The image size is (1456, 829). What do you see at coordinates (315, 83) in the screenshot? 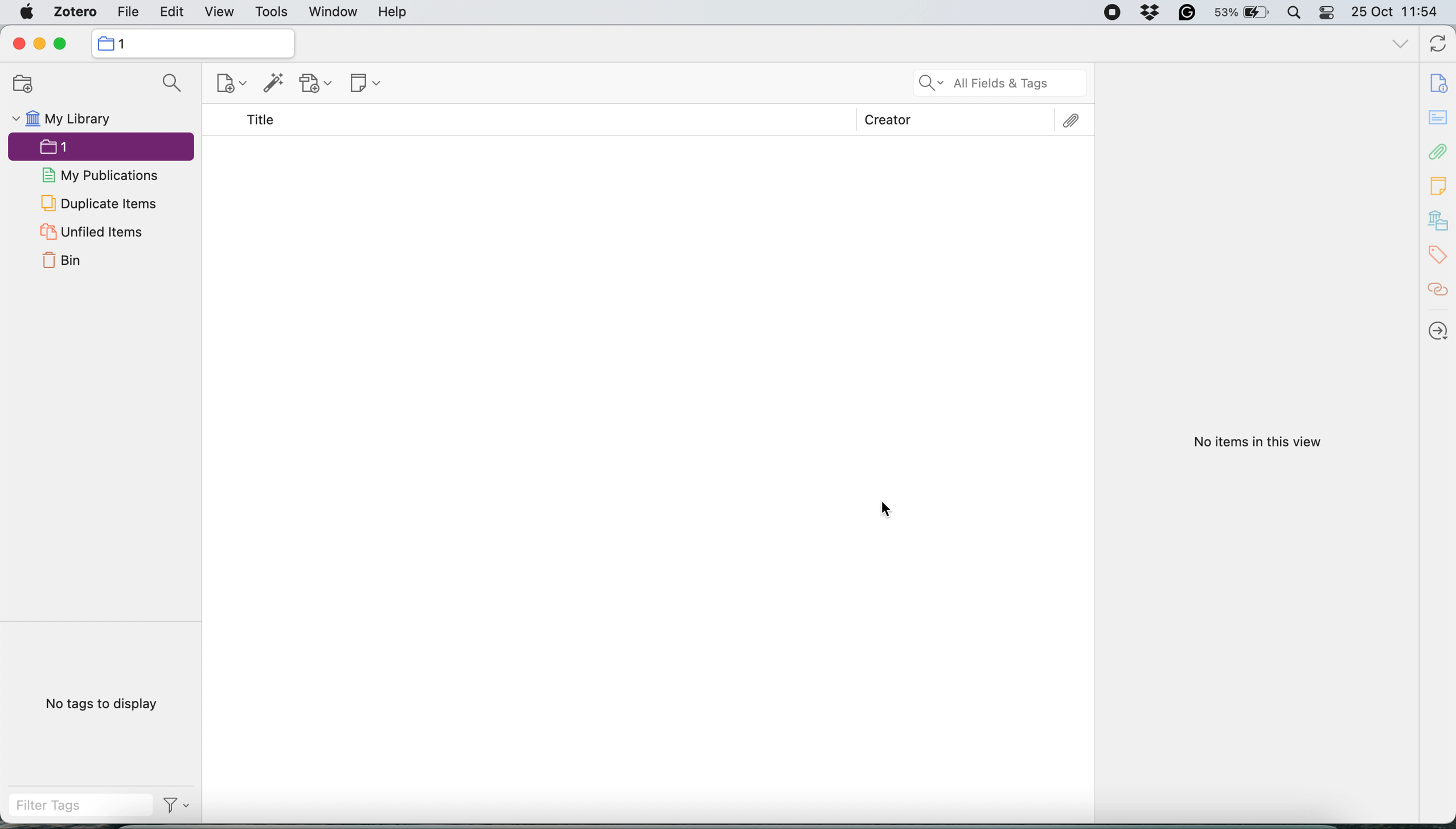
I see `add attachment` at bounding box center [315, 83].